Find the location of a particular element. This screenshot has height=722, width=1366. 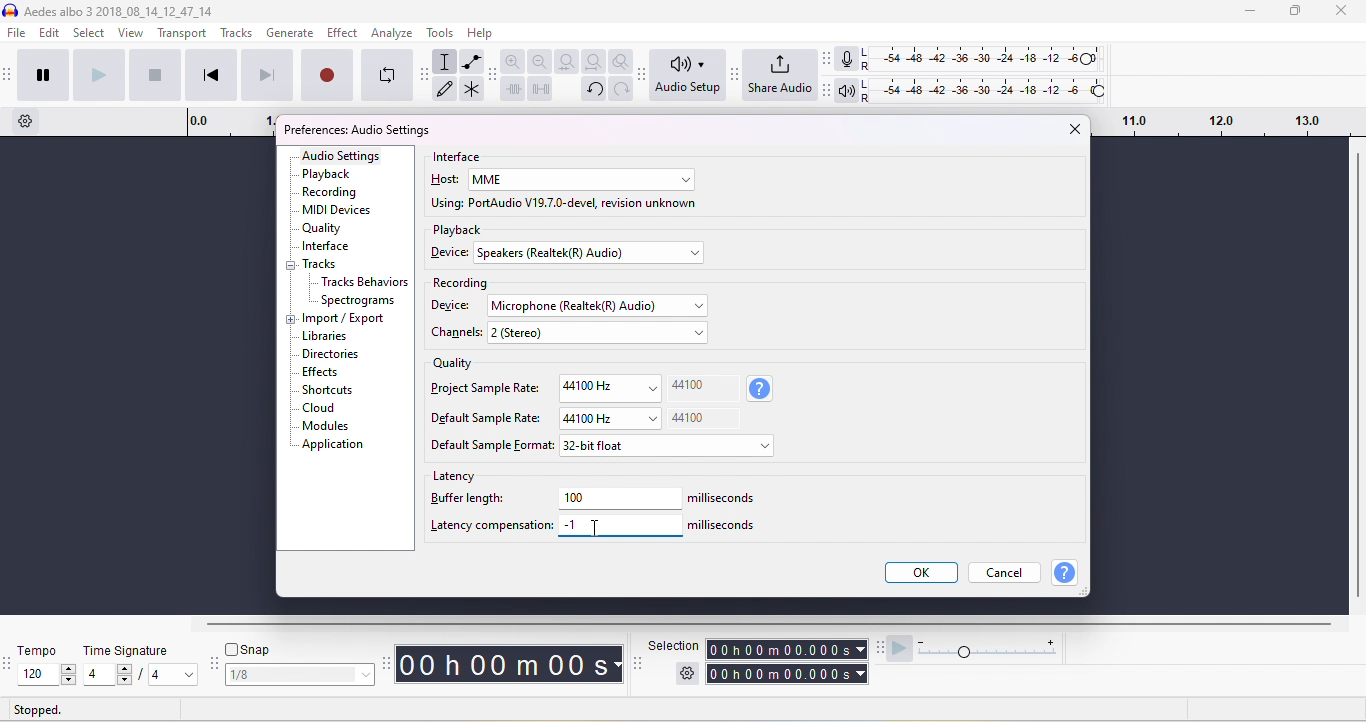

minimize is located at coordinates (1247, 12).